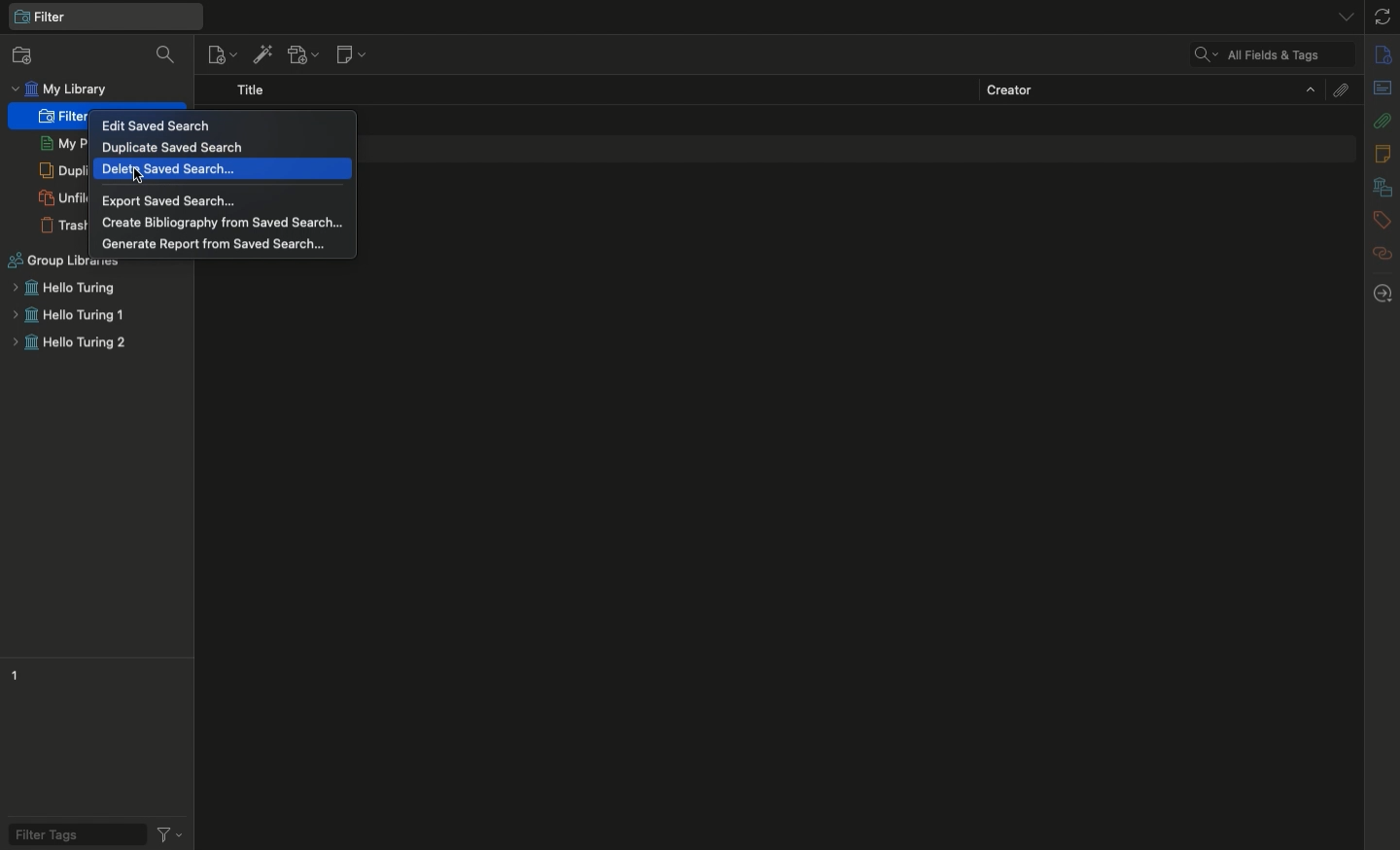  Describe the element at coordinates (1382, 221) in the screenshot. I see `Tags` at that location.